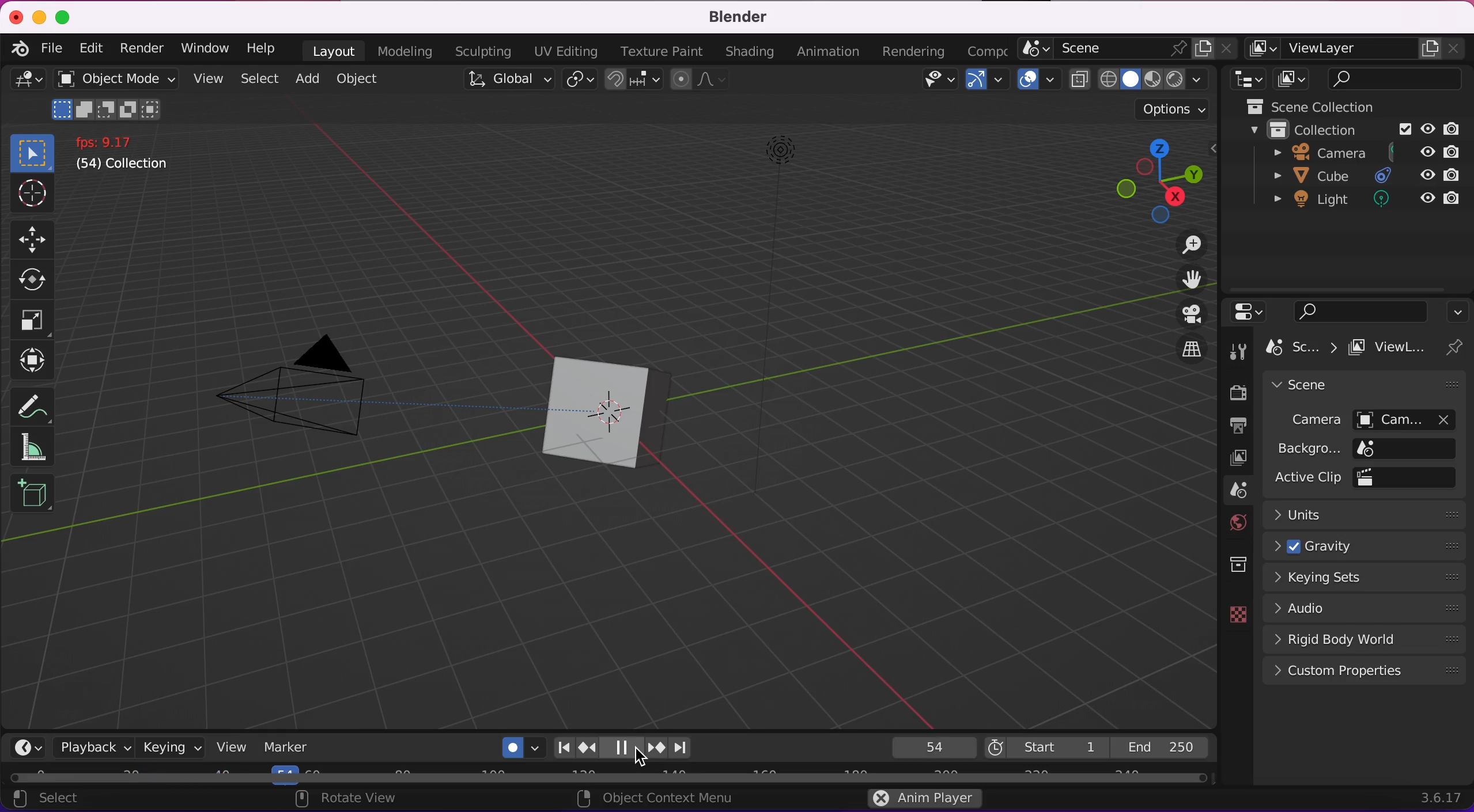 This screenshot has height=812, width=1474. What do you see at coordinates (687, 748) in the screenshot?
I see `jump to end point` at bounding box center [687, 748].